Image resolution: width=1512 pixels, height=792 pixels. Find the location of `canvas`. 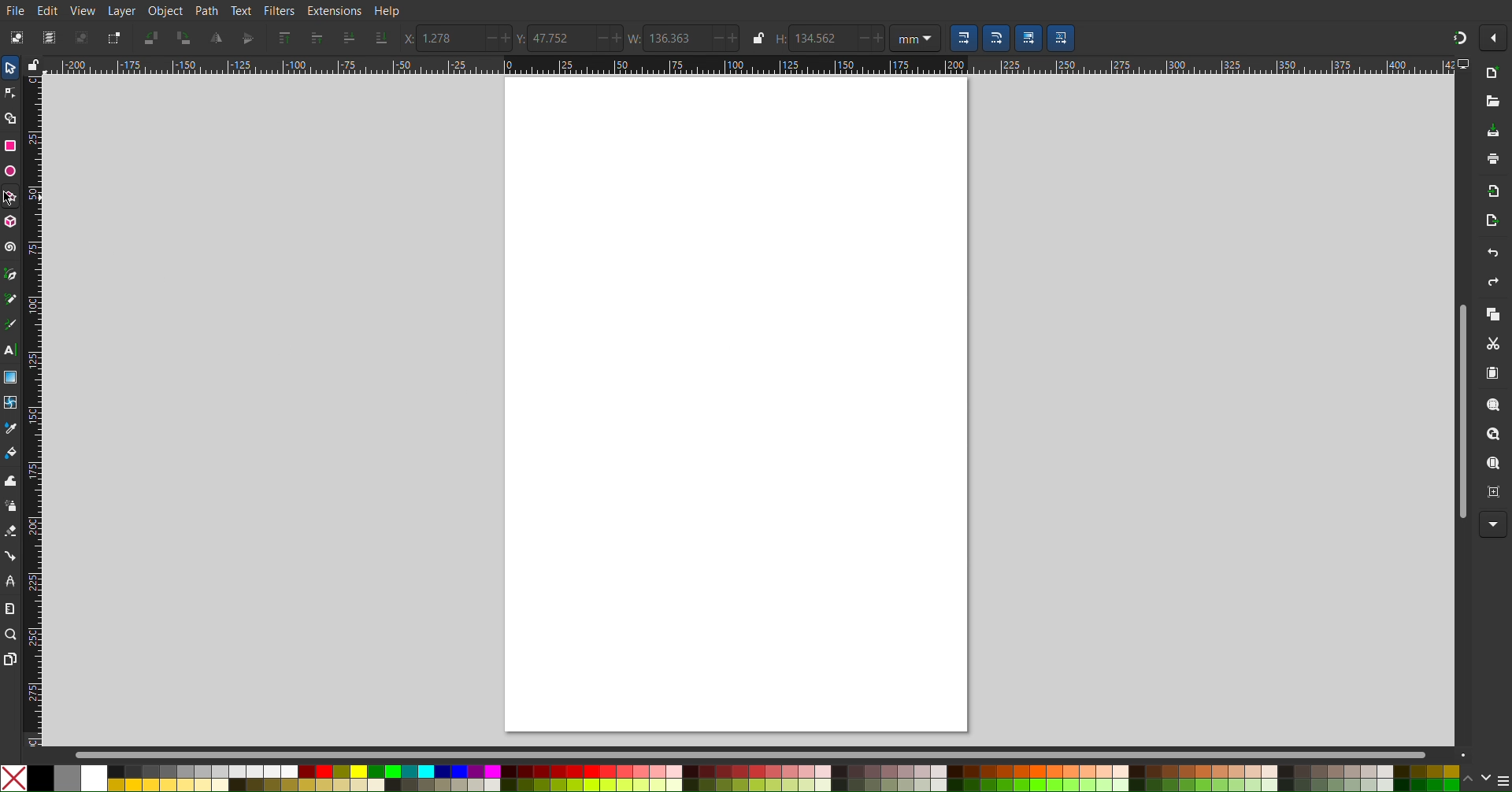

canvas is located at coordinates (736, 404).